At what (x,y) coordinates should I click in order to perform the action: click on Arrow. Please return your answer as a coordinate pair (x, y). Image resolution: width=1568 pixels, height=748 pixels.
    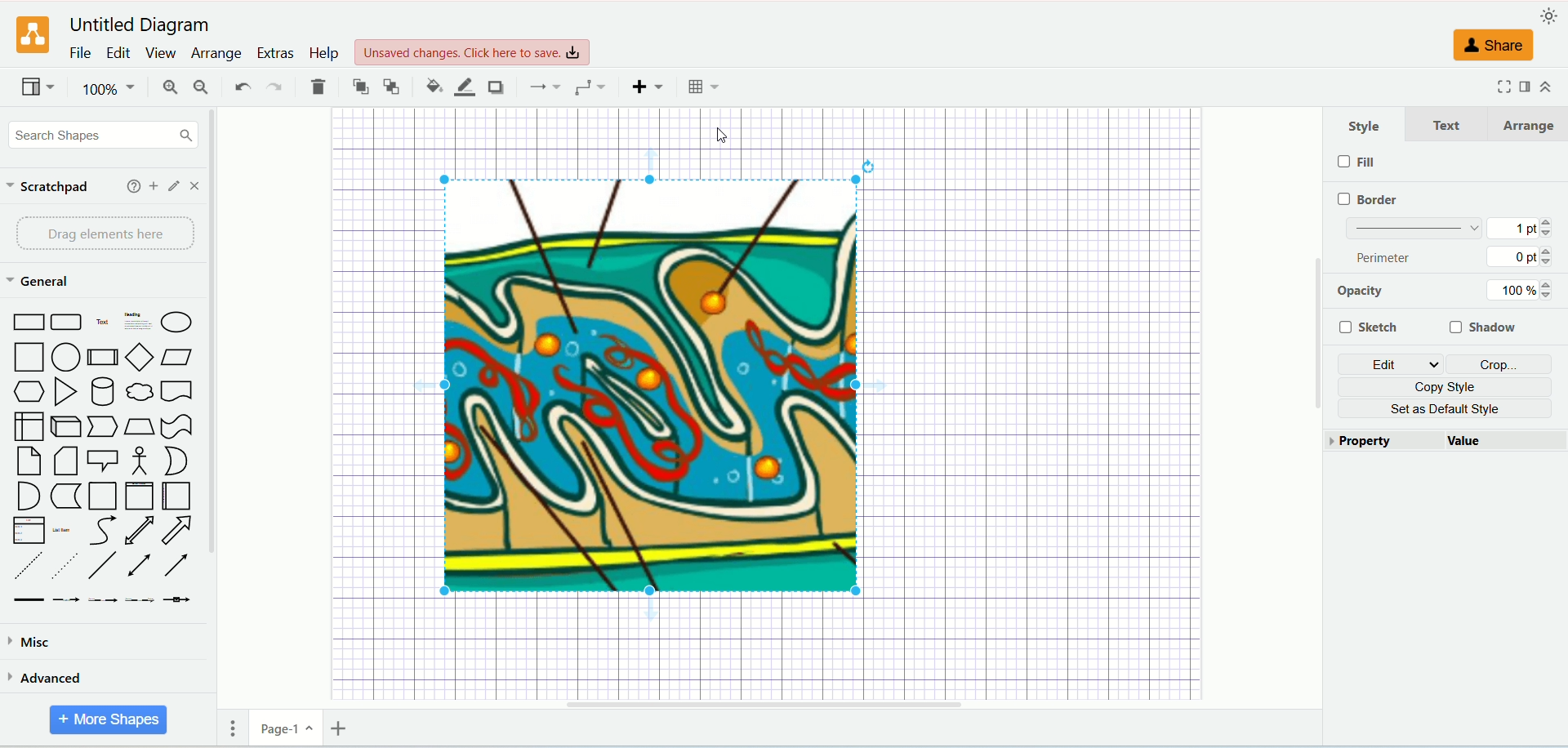
    Looking at the image, I should click on (177, 532).